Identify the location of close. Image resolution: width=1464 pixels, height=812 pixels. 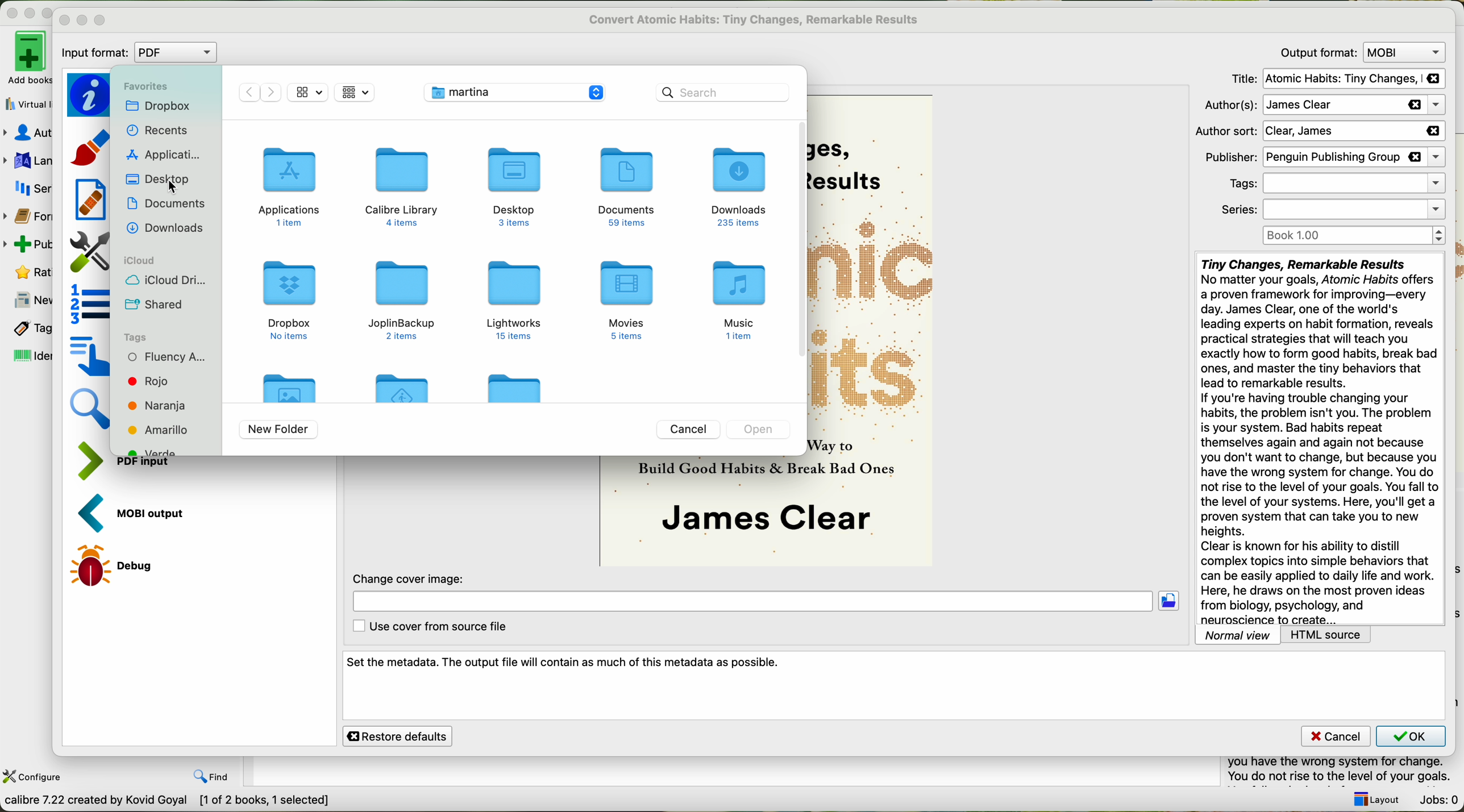
(65, 21).